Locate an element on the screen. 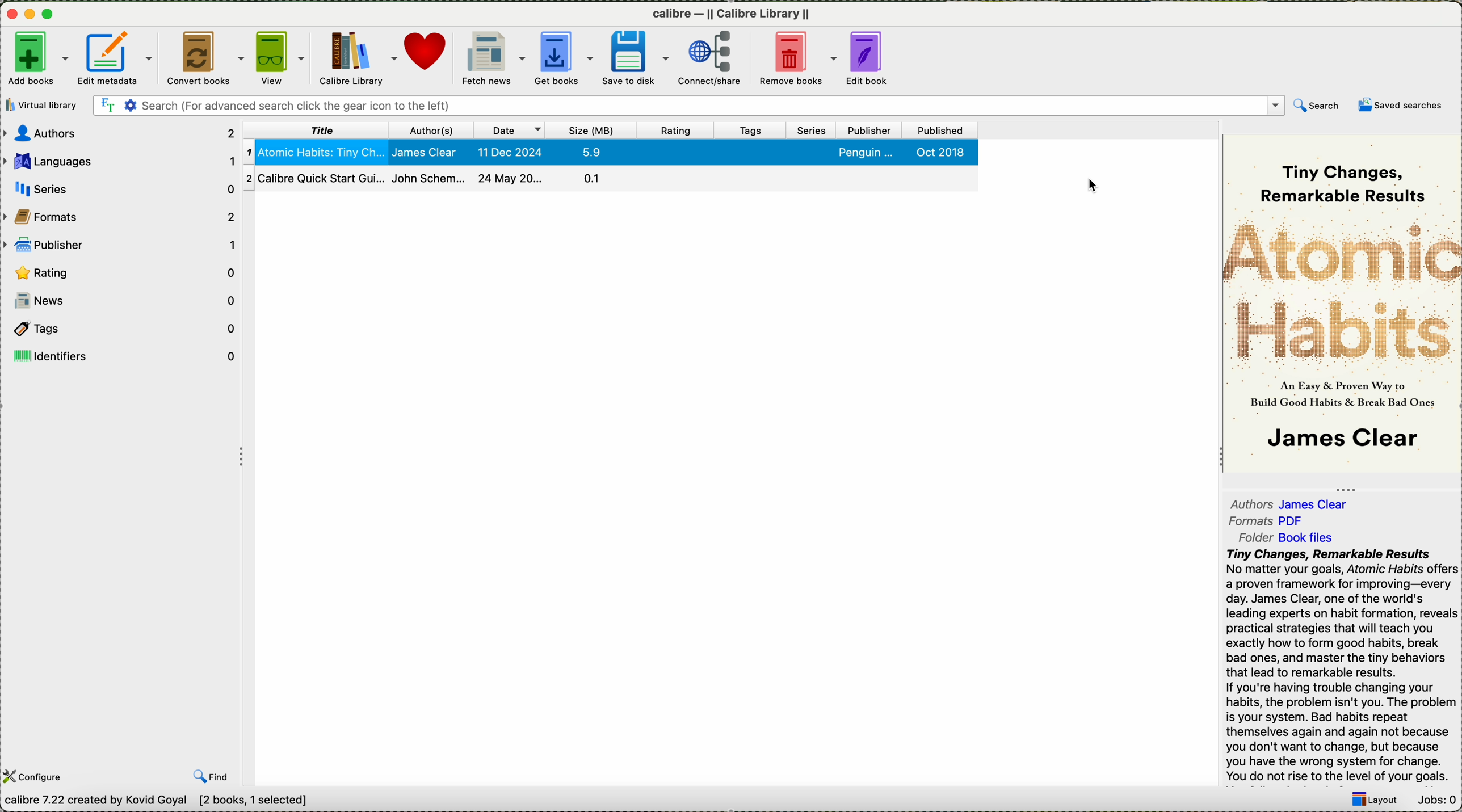 This screenshot has height=812, width=1462. rating is located at coordinates (675, 130).